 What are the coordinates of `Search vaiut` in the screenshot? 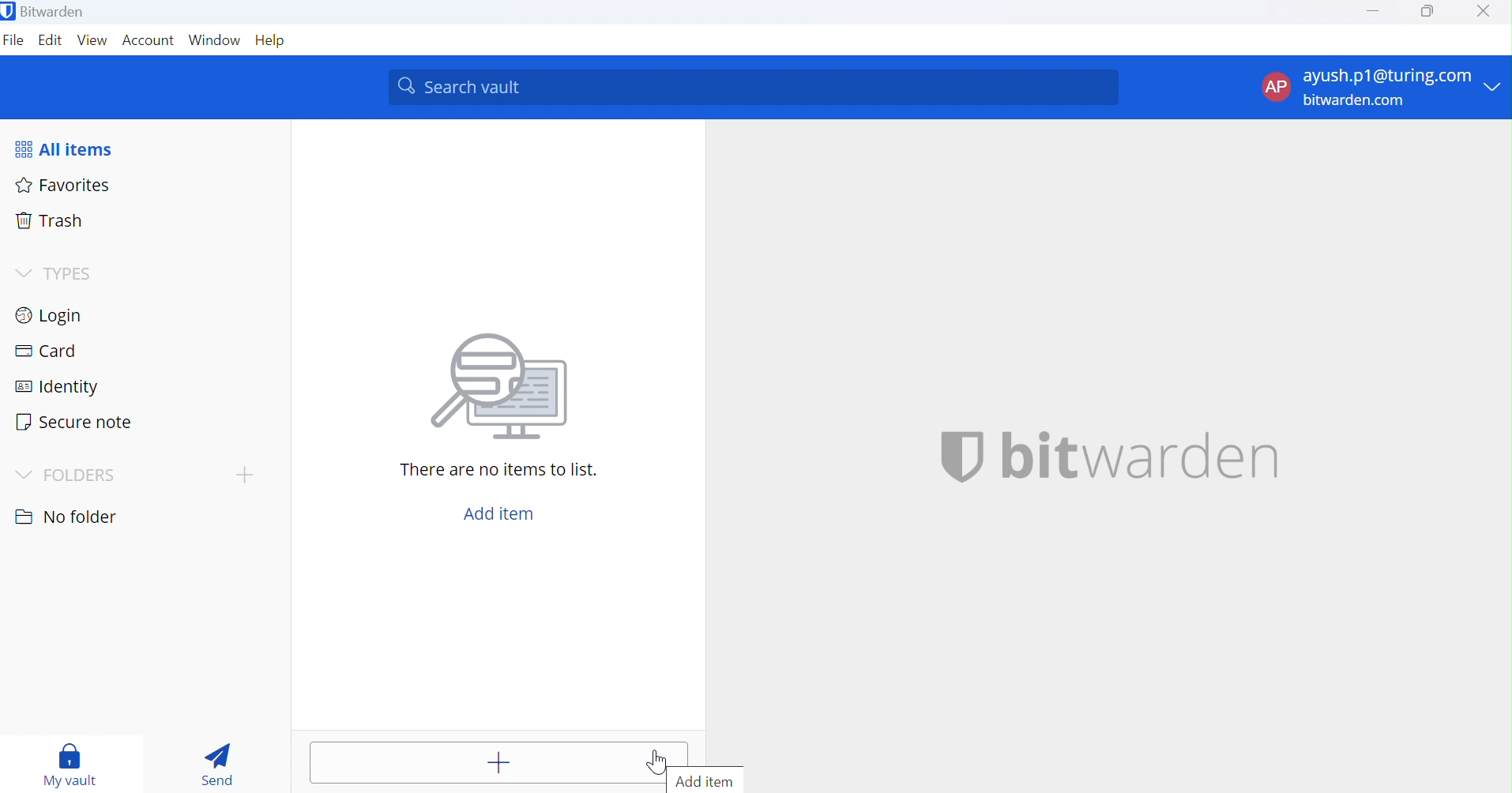 It's located at (754, 88).